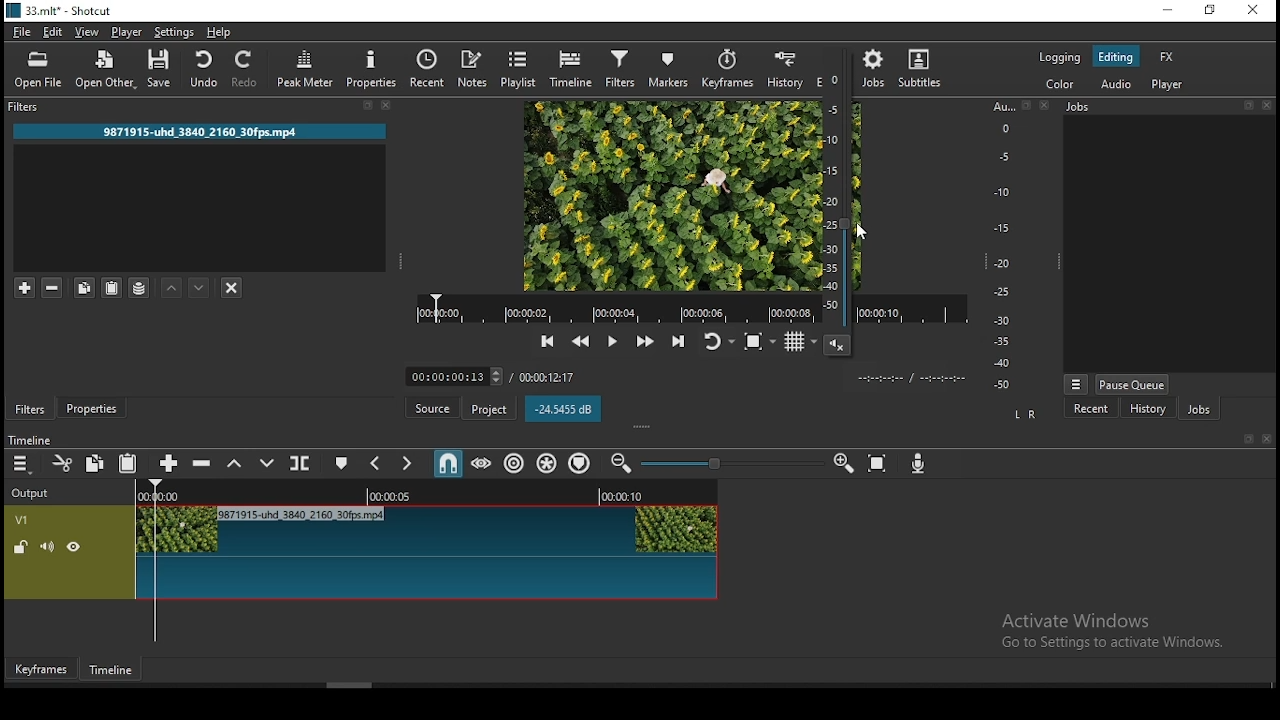 This screenshot has width=1280, height=720. I want to click on close, so click(1269, 109).